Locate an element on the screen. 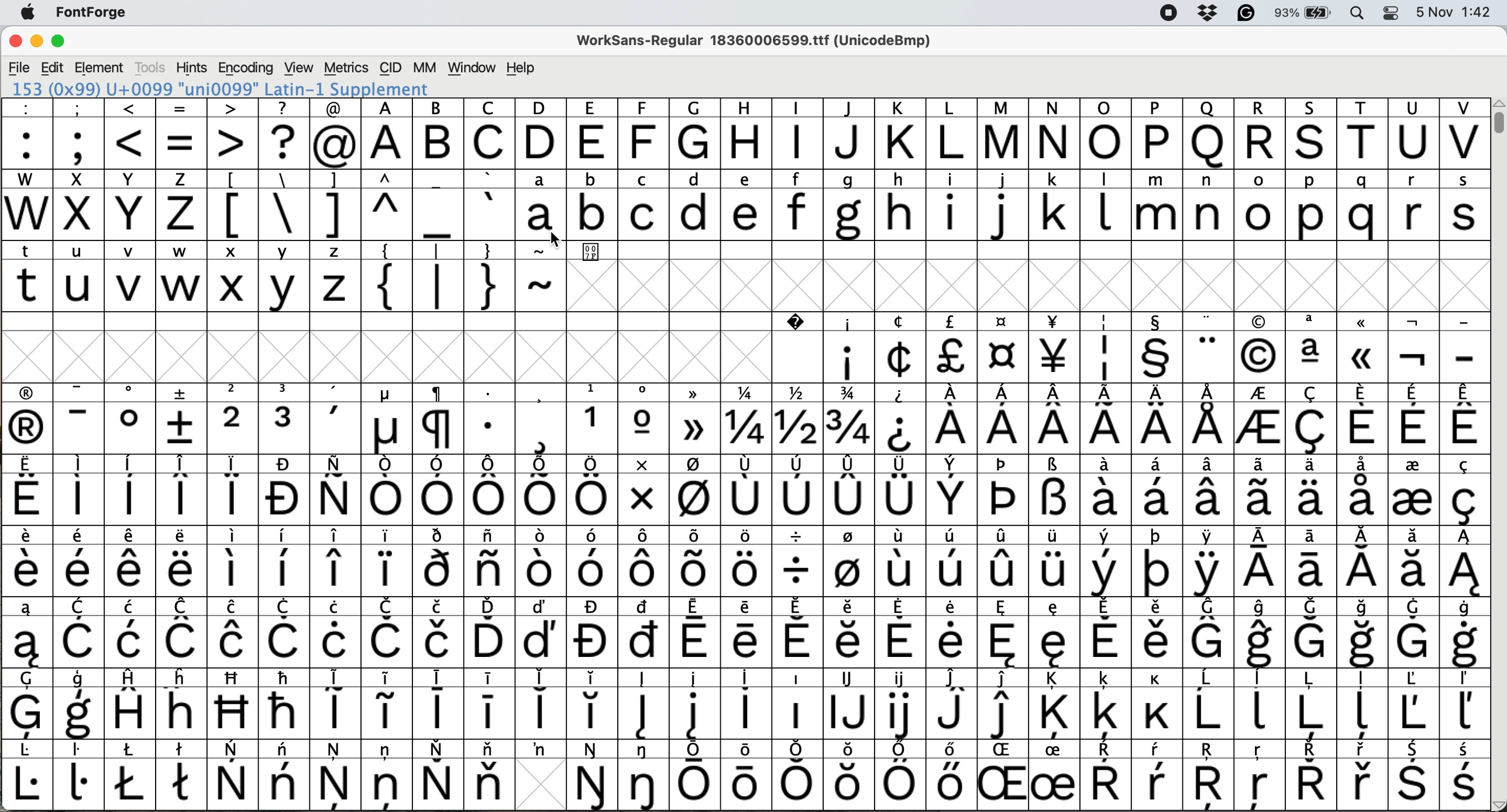 The width and height of the screenshot is (1507, 812). - is located at coordinates (1465, 349).